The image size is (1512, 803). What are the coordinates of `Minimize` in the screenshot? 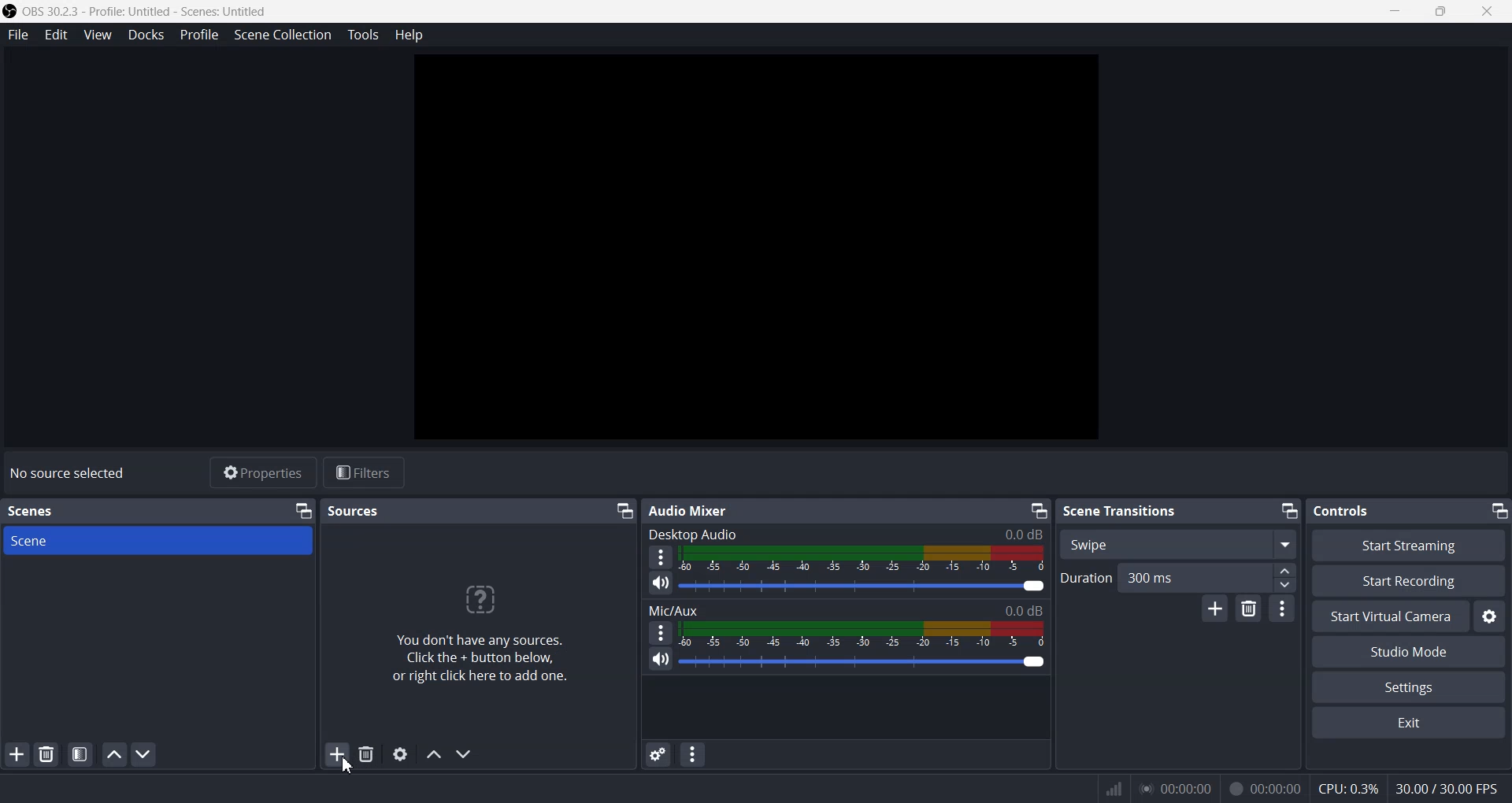 It's located at (1289, 511).